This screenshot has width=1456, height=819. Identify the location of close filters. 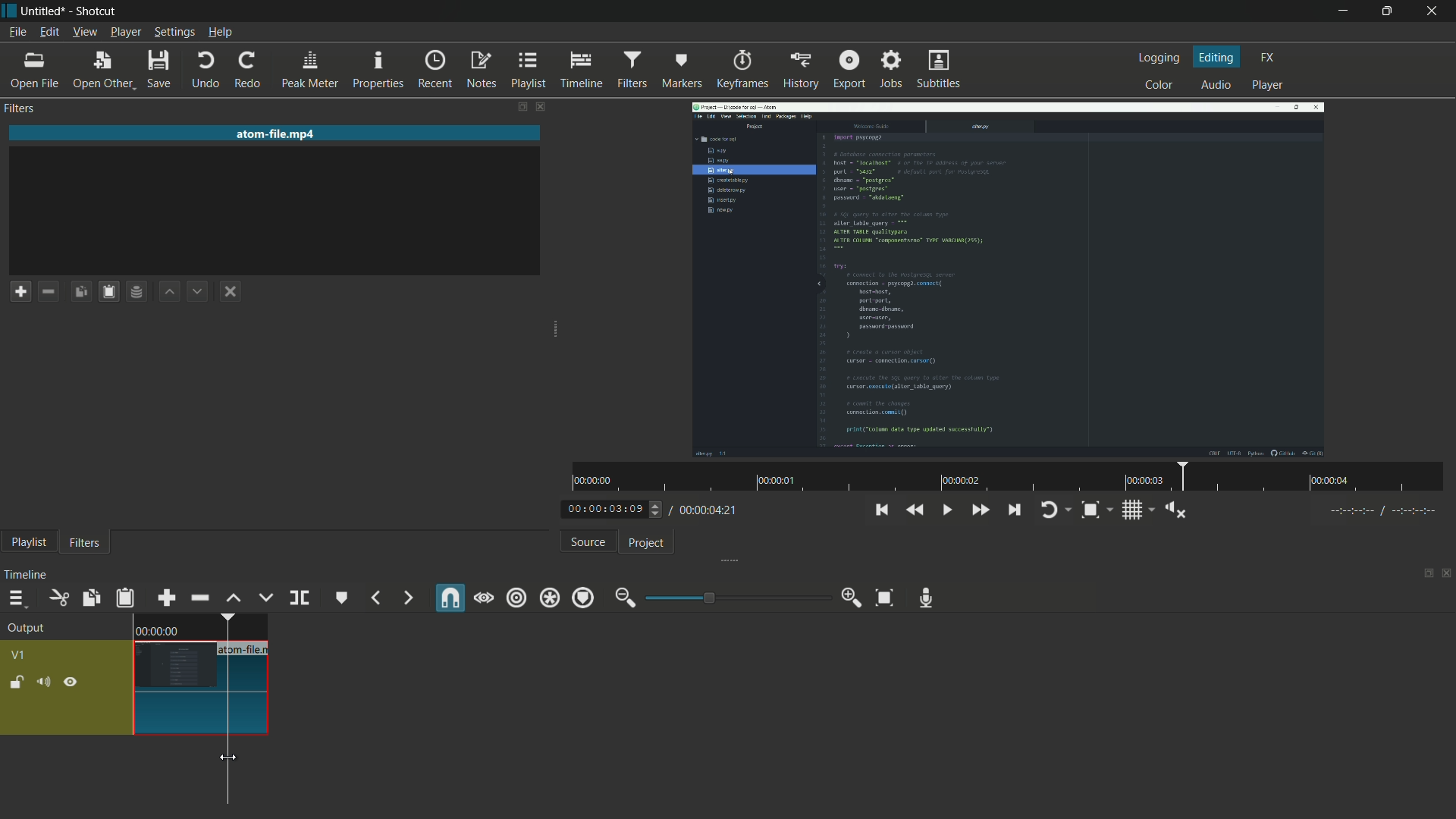
(540, 107).